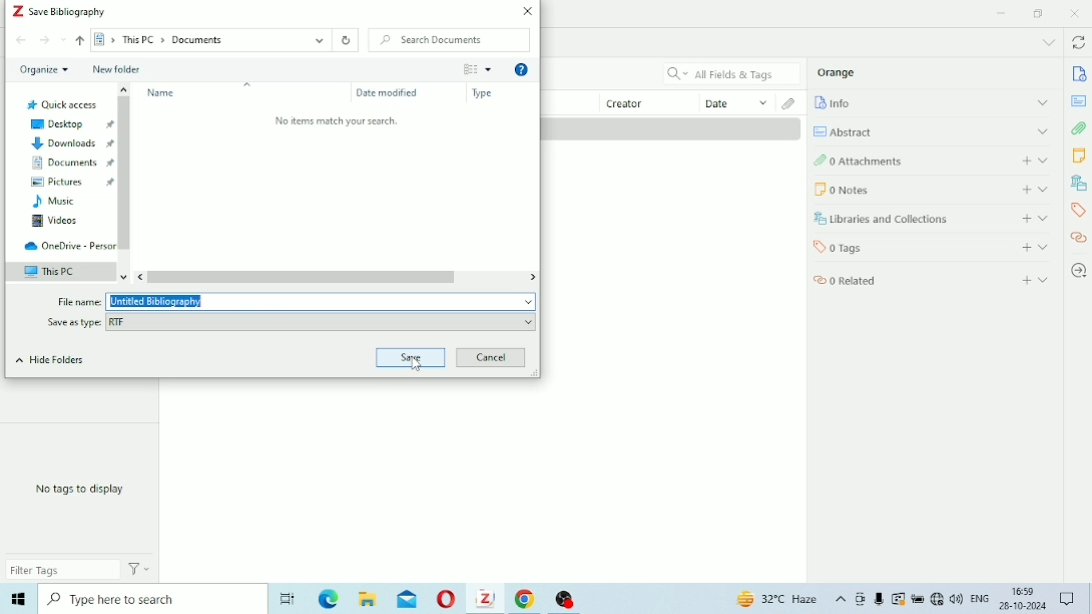  What do you see at coordinates (931, 131) in the screenshot?
I see `Abstract` at bounding box center [931, 131].